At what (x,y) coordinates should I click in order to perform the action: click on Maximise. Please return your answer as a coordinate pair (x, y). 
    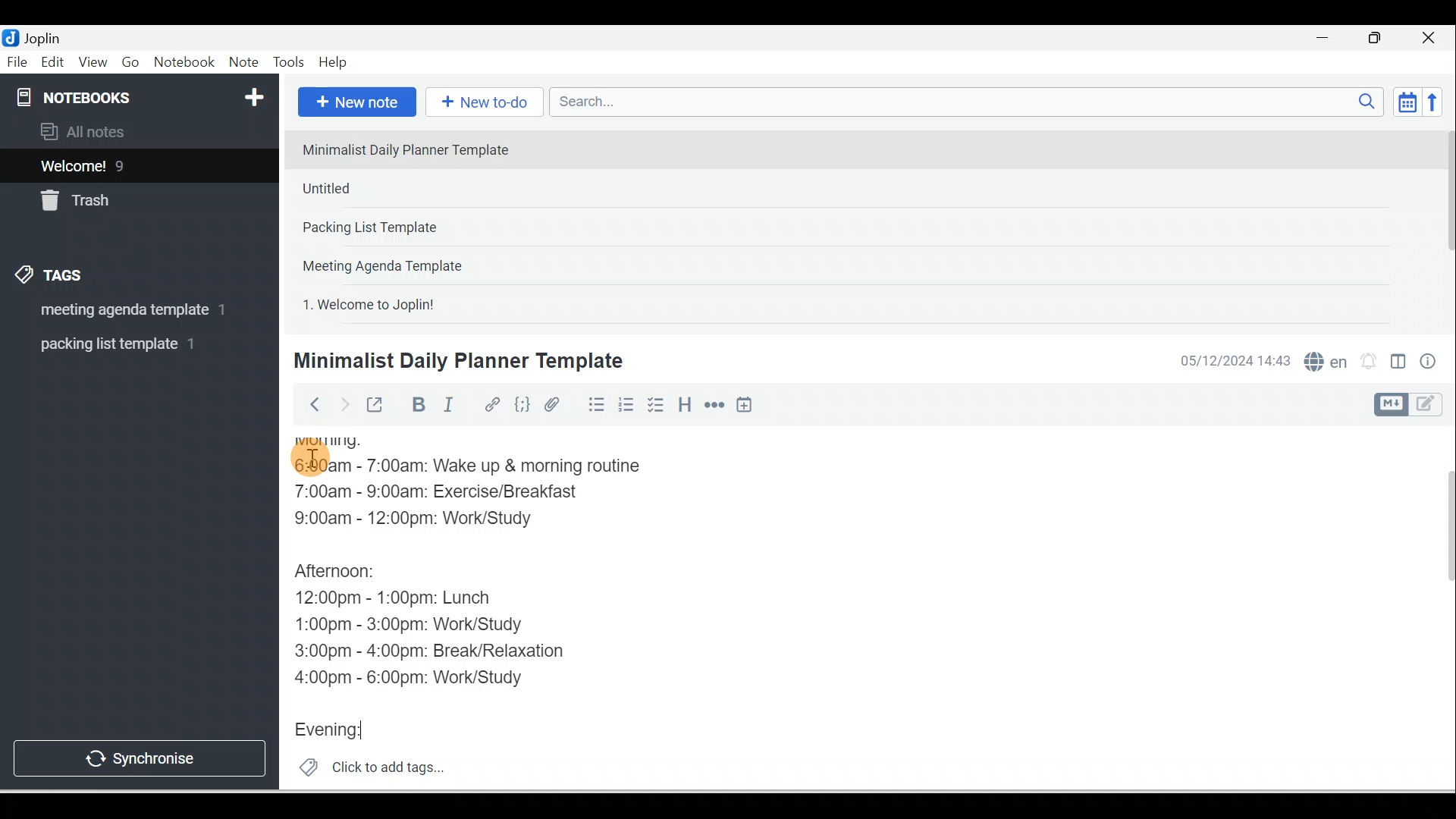
    Looking at the image, I should click on (1380, 39).